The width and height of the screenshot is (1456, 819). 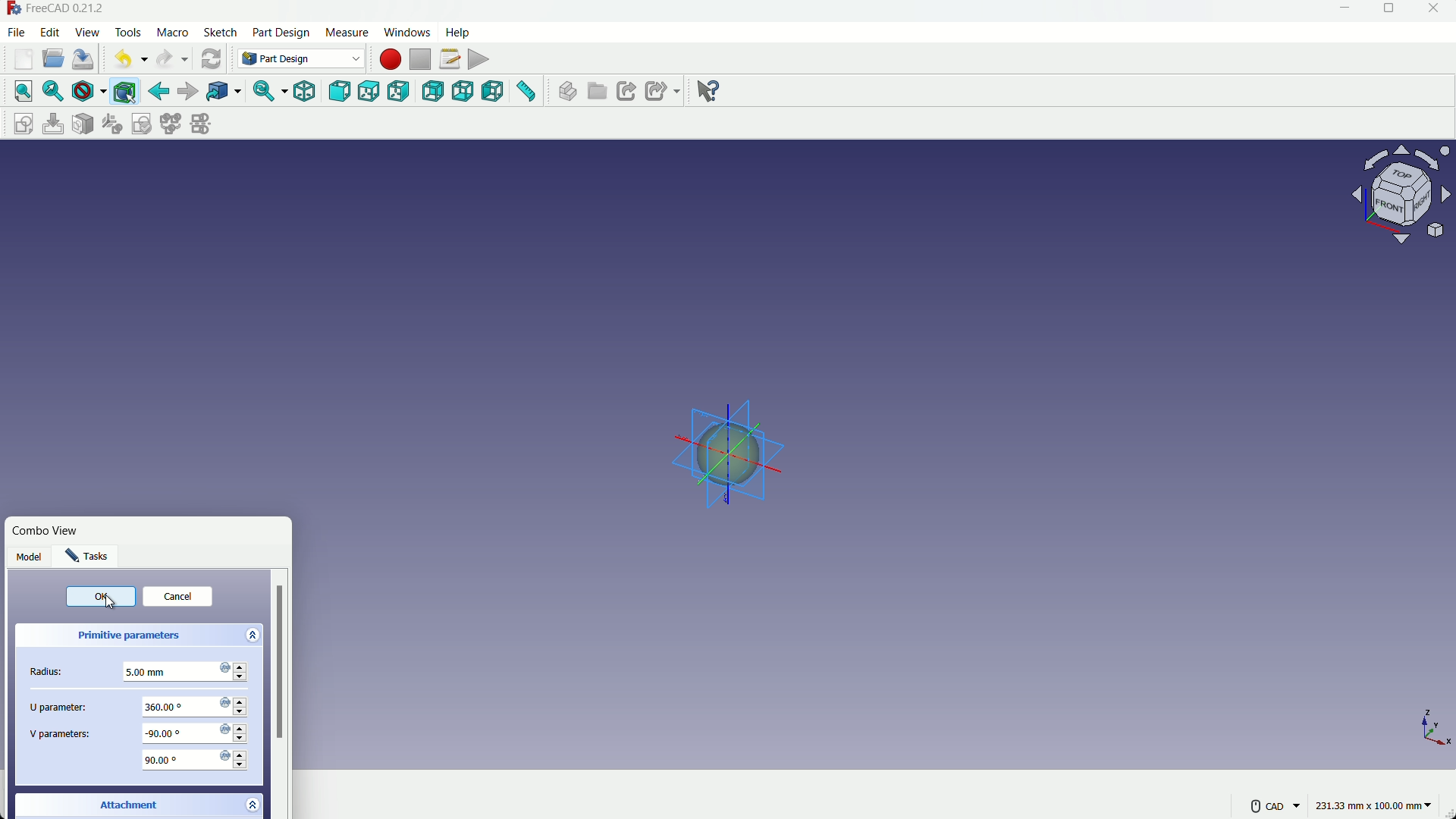 I want to click on edit sketch, so click(x=54, y=124).